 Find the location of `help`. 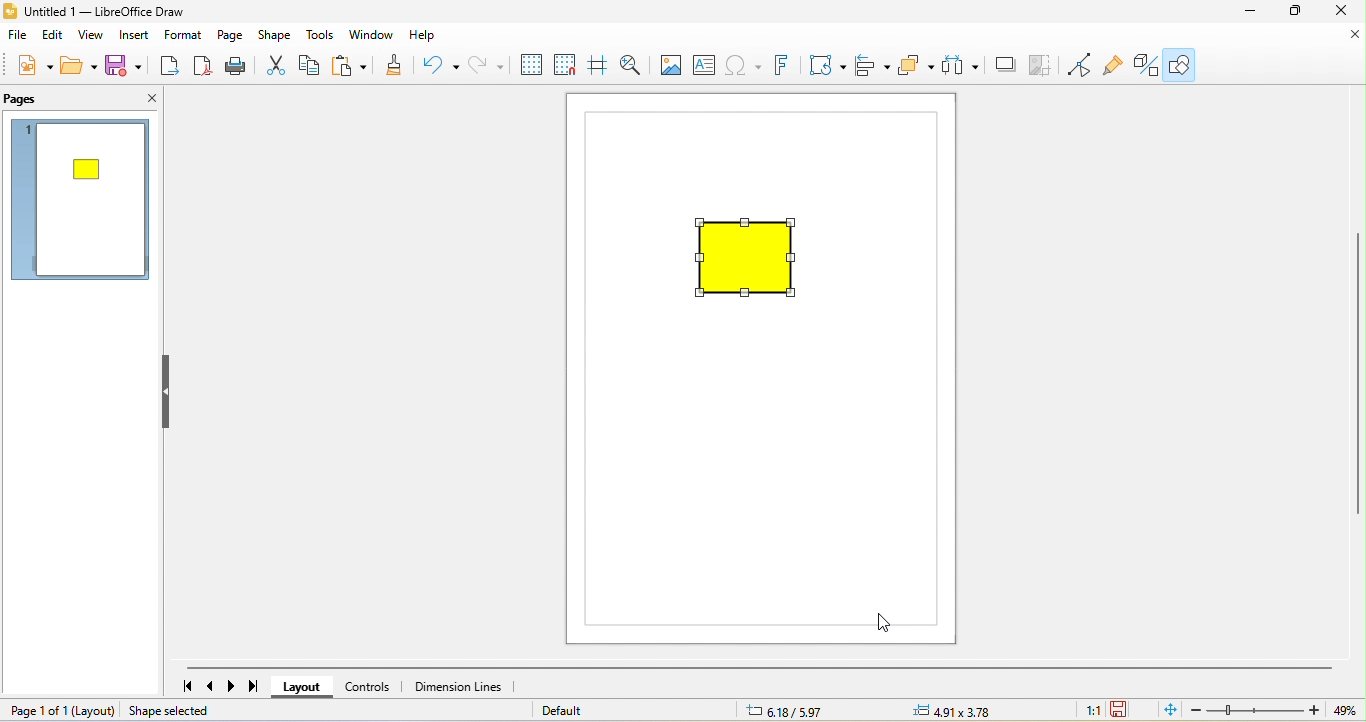

help is located at coordinates (426, 35).